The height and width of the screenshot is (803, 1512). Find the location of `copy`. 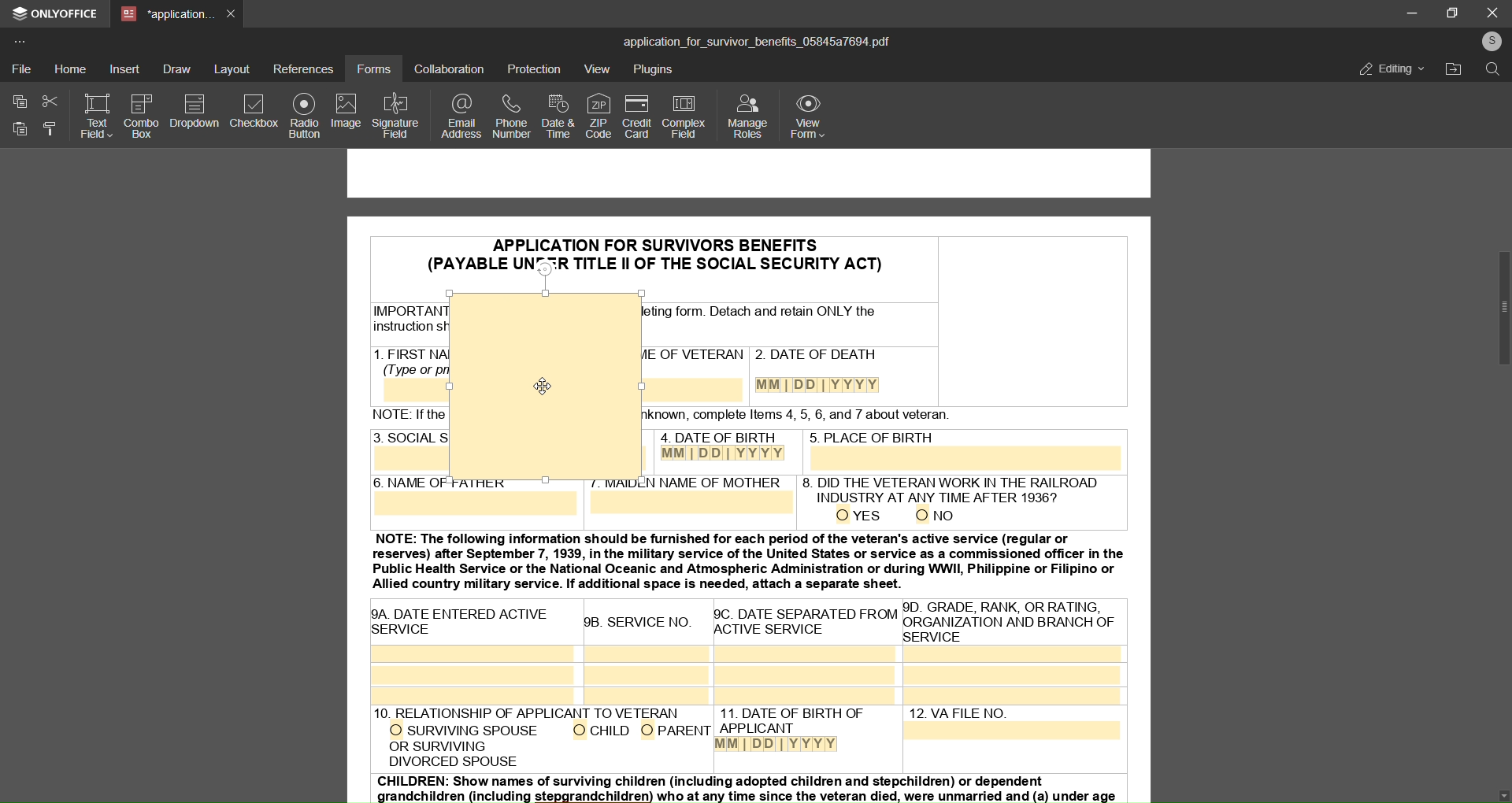

copy is located at coordinates (17, 101).